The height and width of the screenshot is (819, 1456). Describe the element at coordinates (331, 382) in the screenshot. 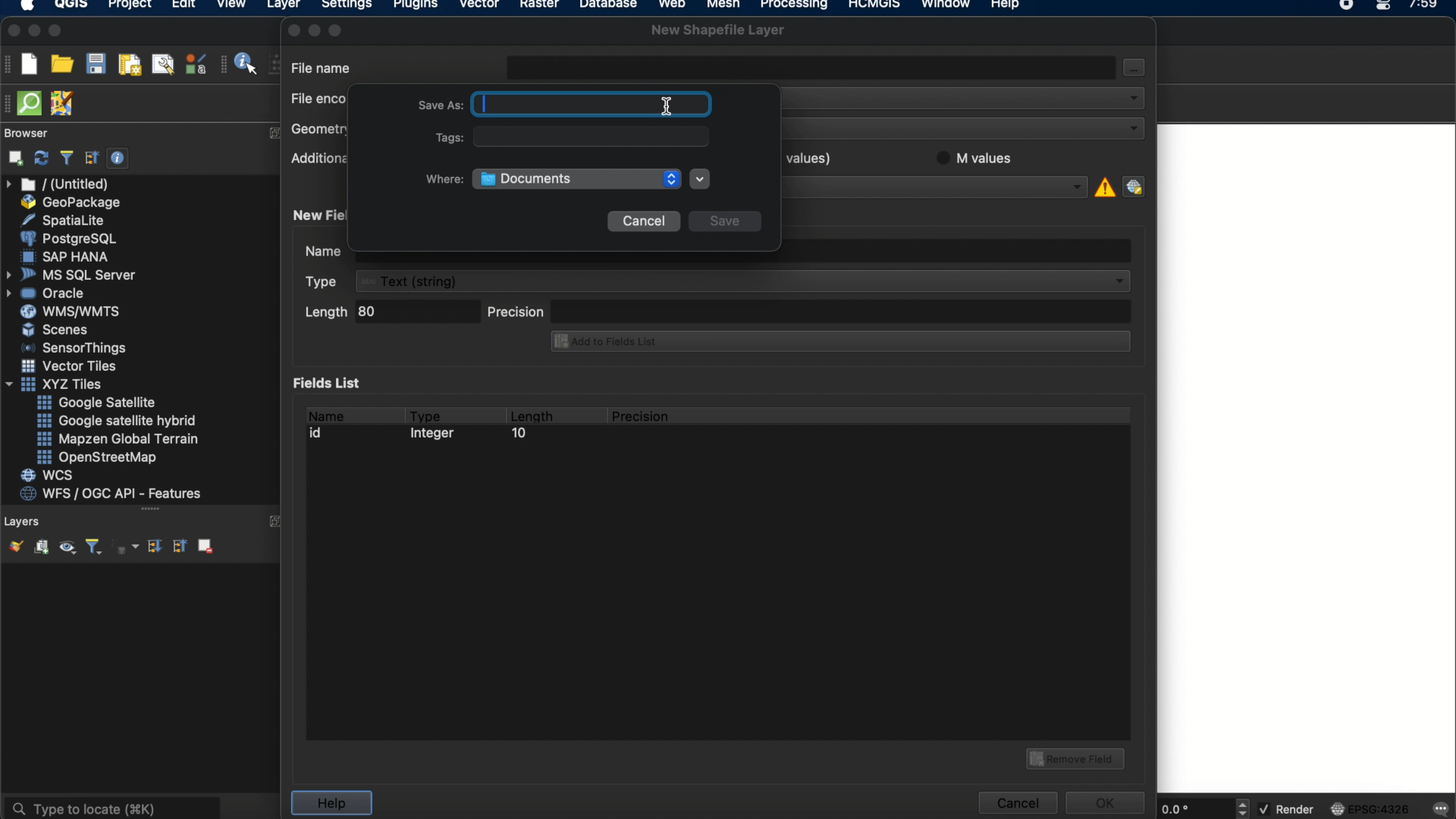

I see `fields list` at that location.